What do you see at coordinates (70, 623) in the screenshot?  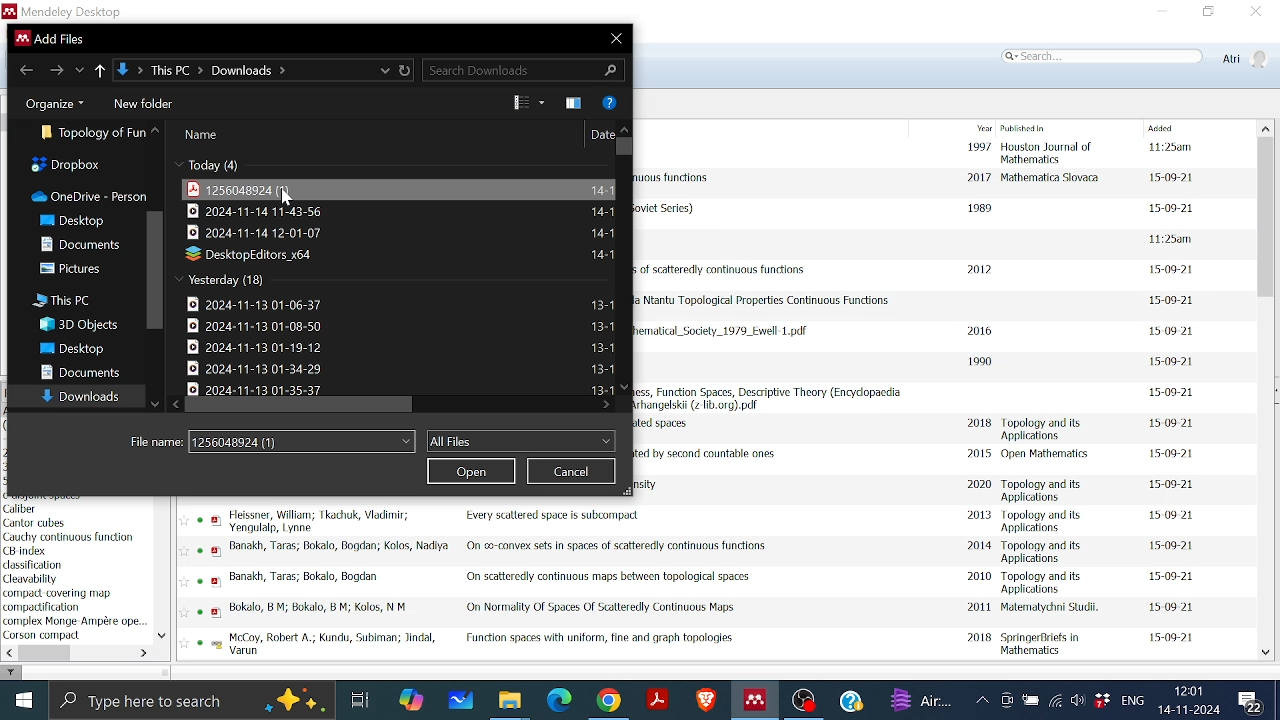 I see `Keyword` at bounding box center [70, 623].